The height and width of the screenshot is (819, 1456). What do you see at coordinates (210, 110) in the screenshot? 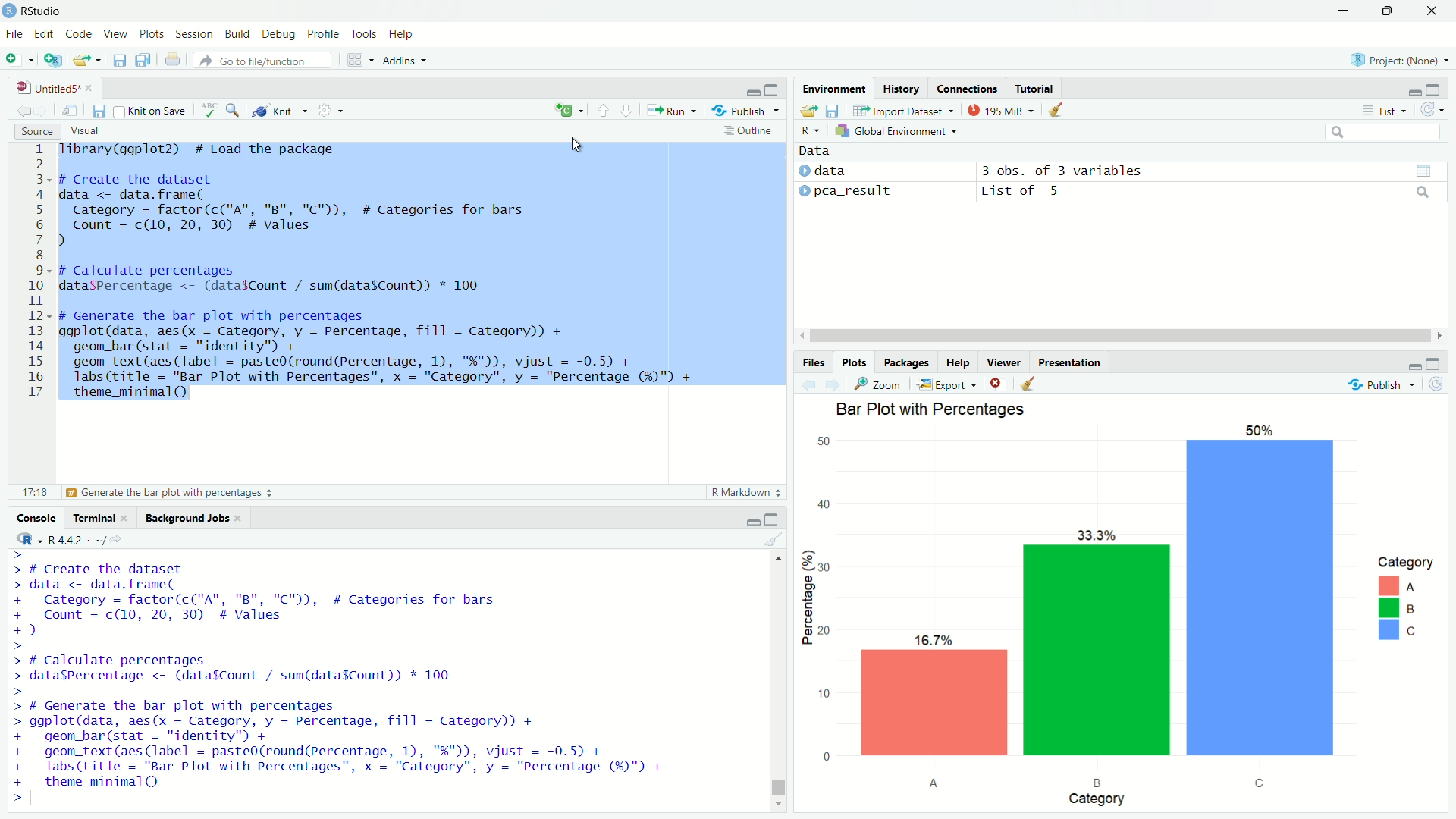
I see `spelling check` at bounding box center [210, 110].